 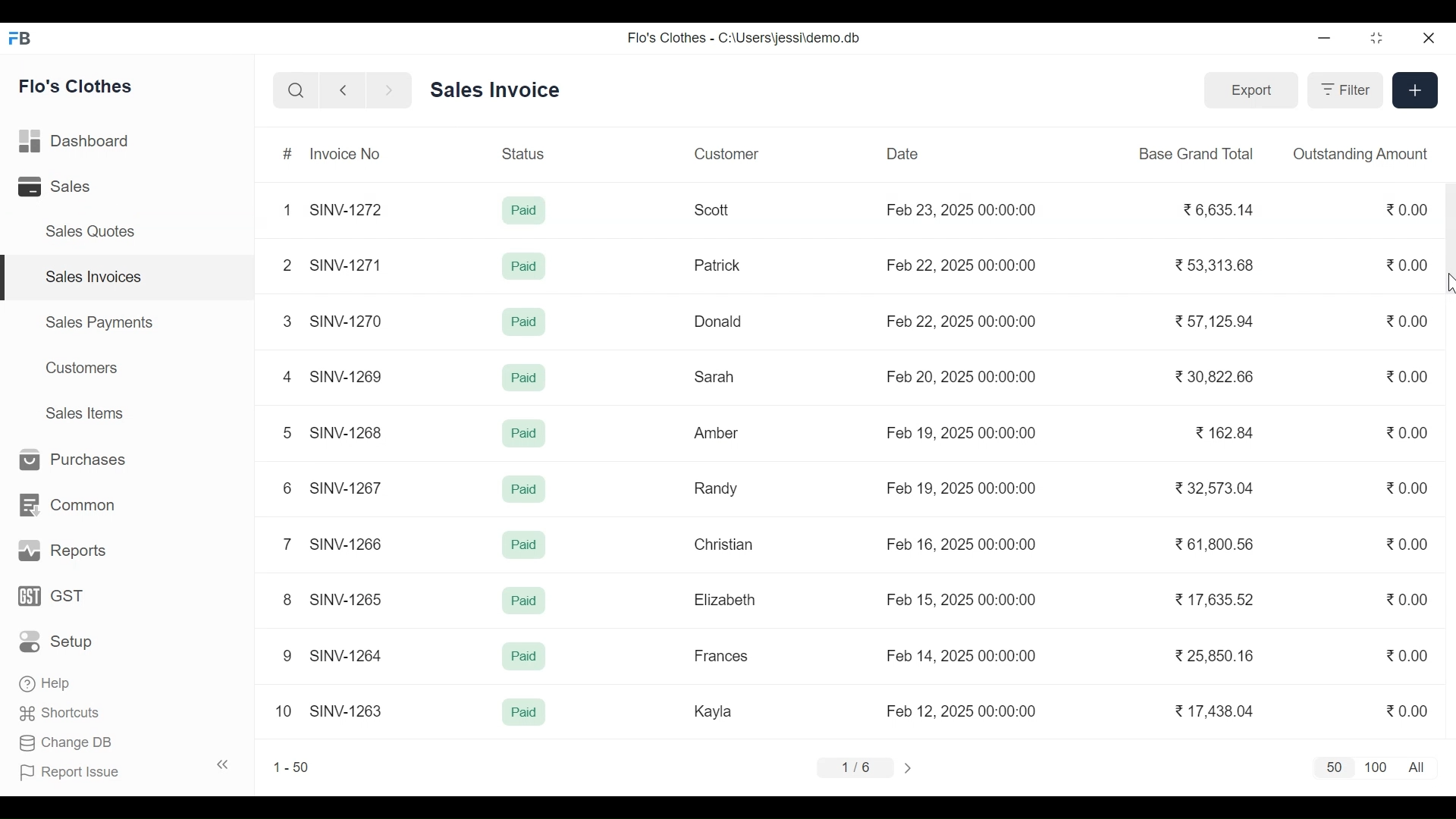 What do you see at coordinates (287, 209) in the screenshot?
I see `1` at bounding box center [287, 209].